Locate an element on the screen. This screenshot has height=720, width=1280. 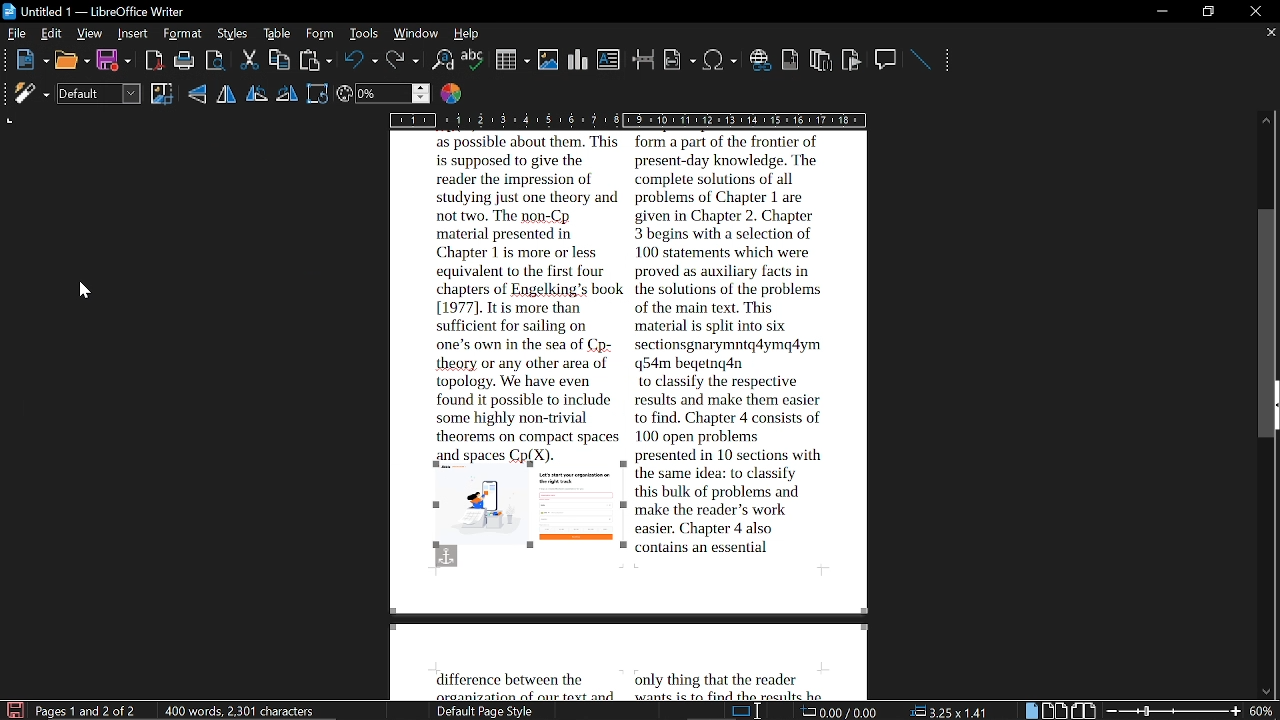
redo is located at coordinates (402, 62).